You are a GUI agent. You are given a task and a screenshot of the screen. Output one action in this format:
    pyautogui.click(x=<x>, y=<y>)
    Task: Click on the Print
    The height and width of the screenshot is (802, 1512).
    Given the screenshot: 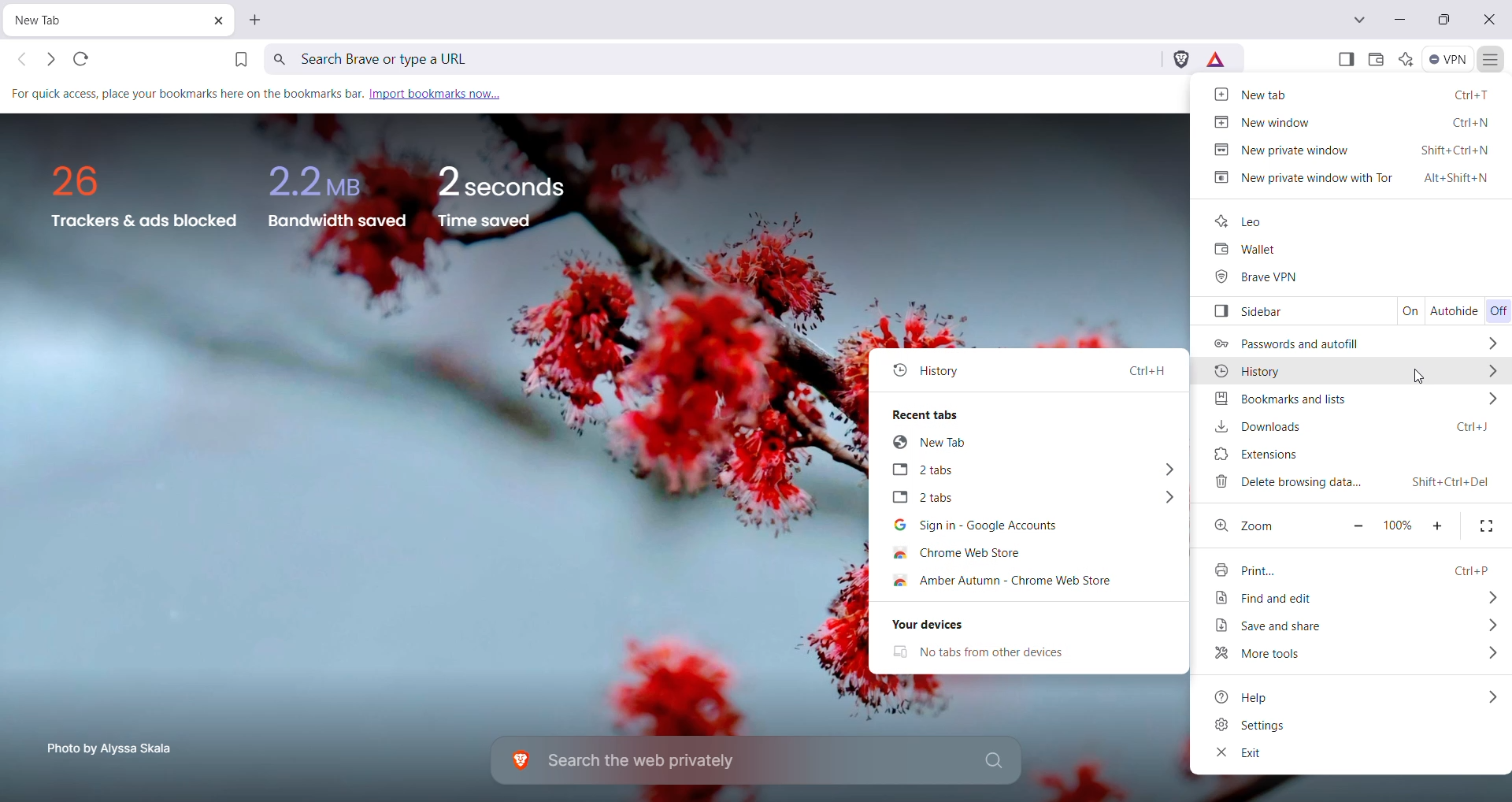 What is the action you would take?
    pyautogui.click(x=1348, y=568)
    